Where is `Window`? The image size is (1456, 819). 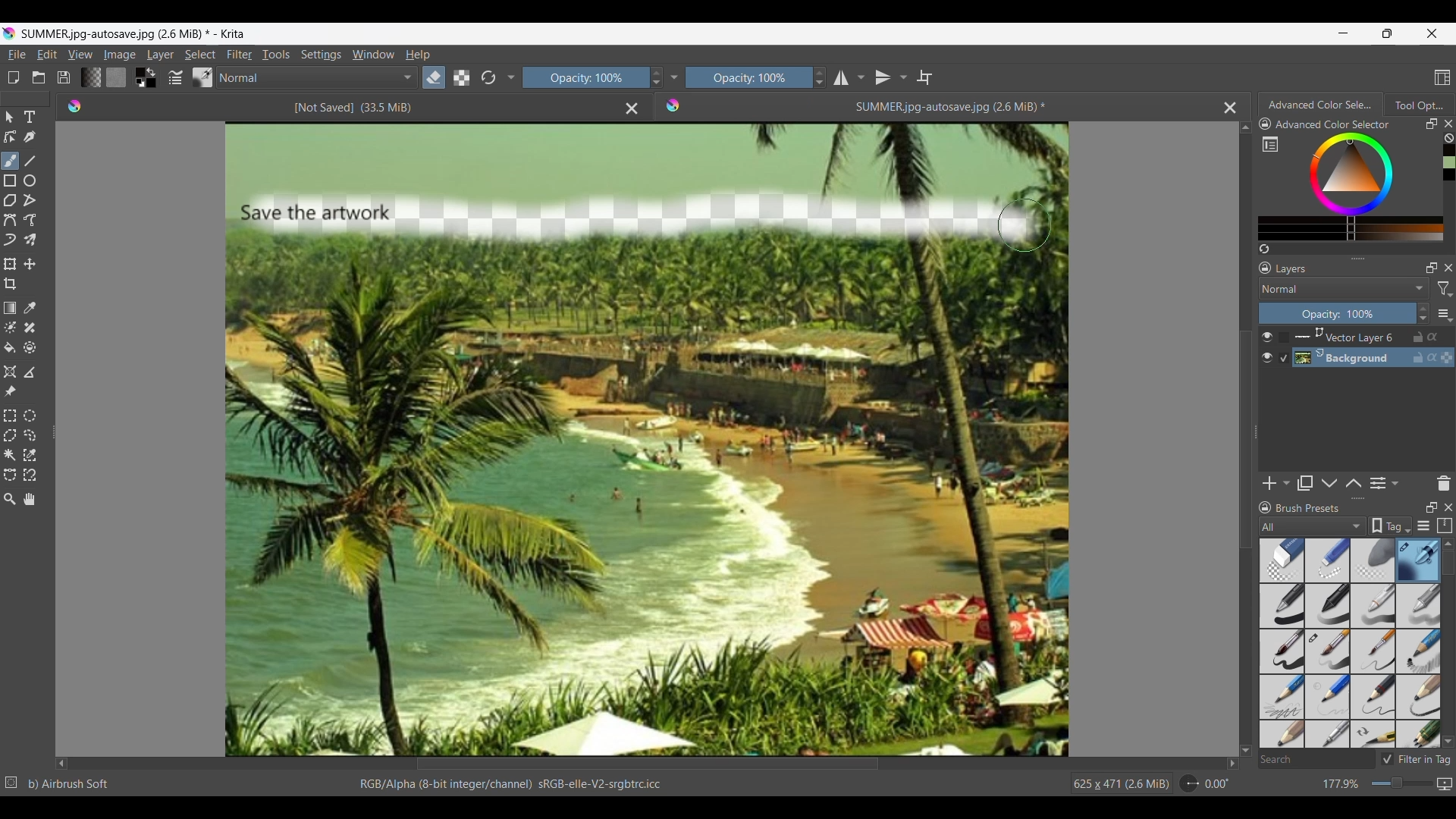 Window is located at coordinates (373, 55).